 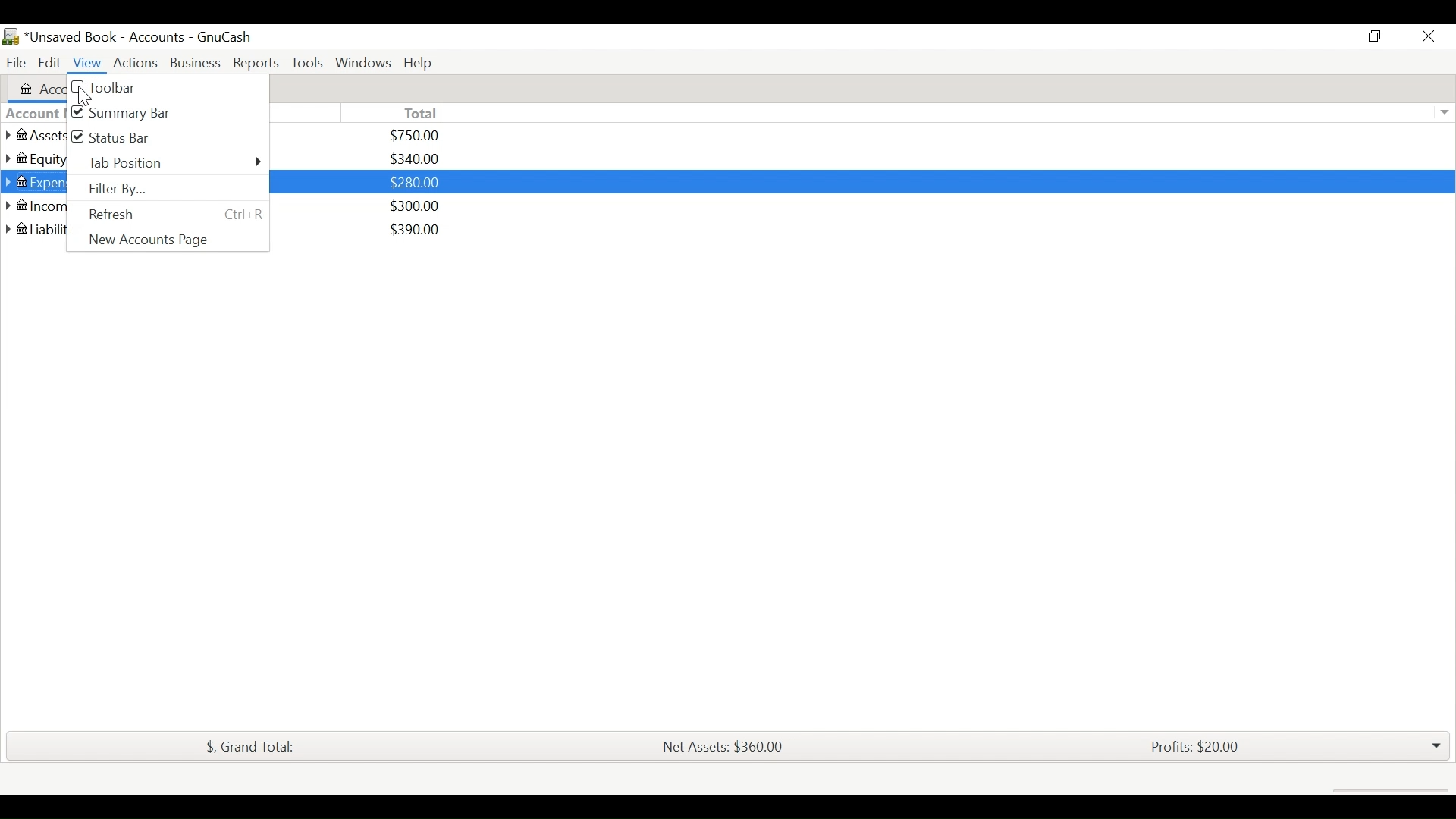 I want to click on Expand, so click(x=1442, y=113).